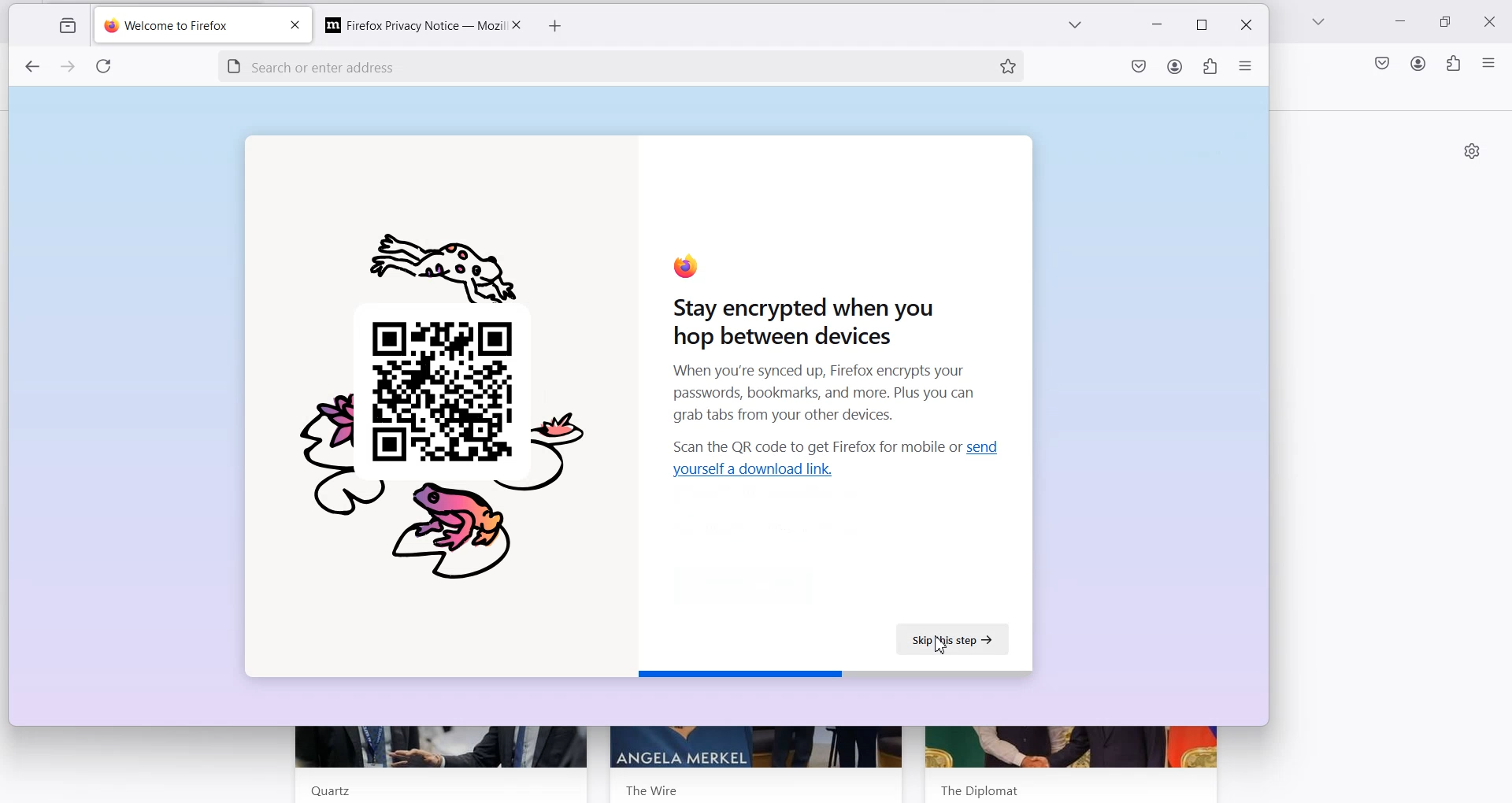 This screenshot has height=803, width=1512. I want to click on Close, so click(1494, 20).